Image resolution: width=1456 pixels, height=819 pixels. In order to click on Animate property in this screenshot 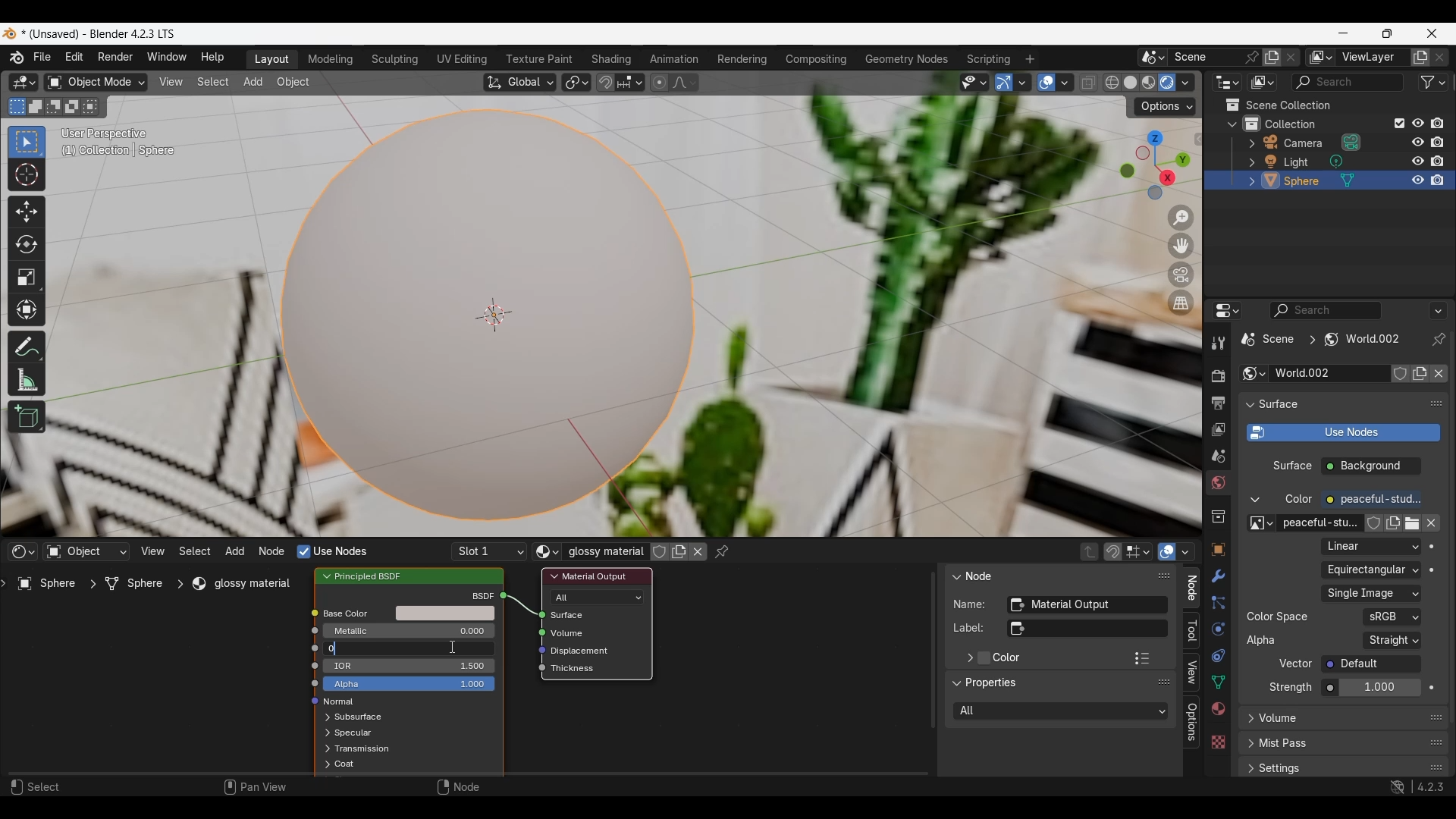, I will do `click(1432, 688)`.